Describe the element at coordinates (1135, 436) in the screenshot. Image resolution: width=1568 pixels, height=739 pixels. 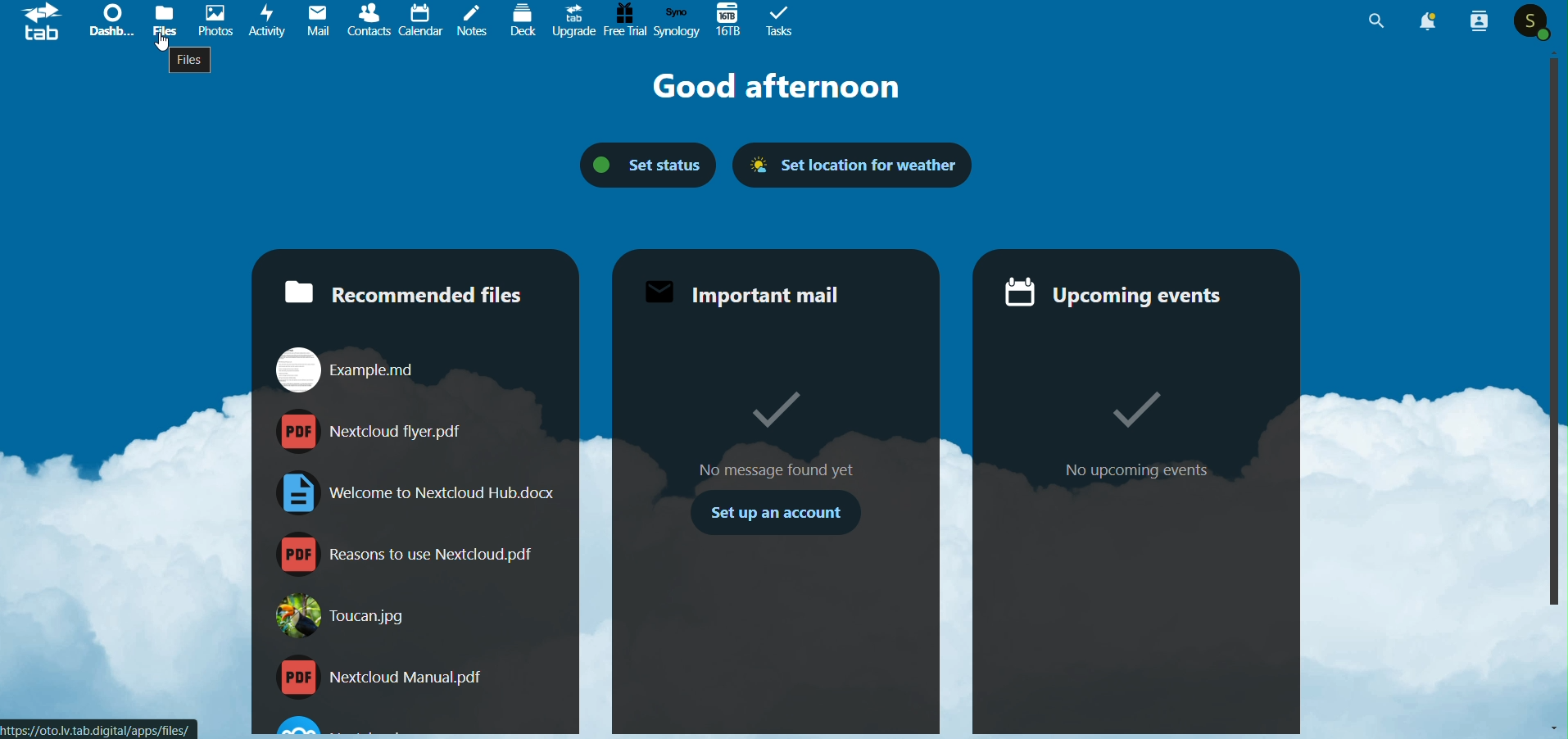
I see `No Upcoming Events` at that location.